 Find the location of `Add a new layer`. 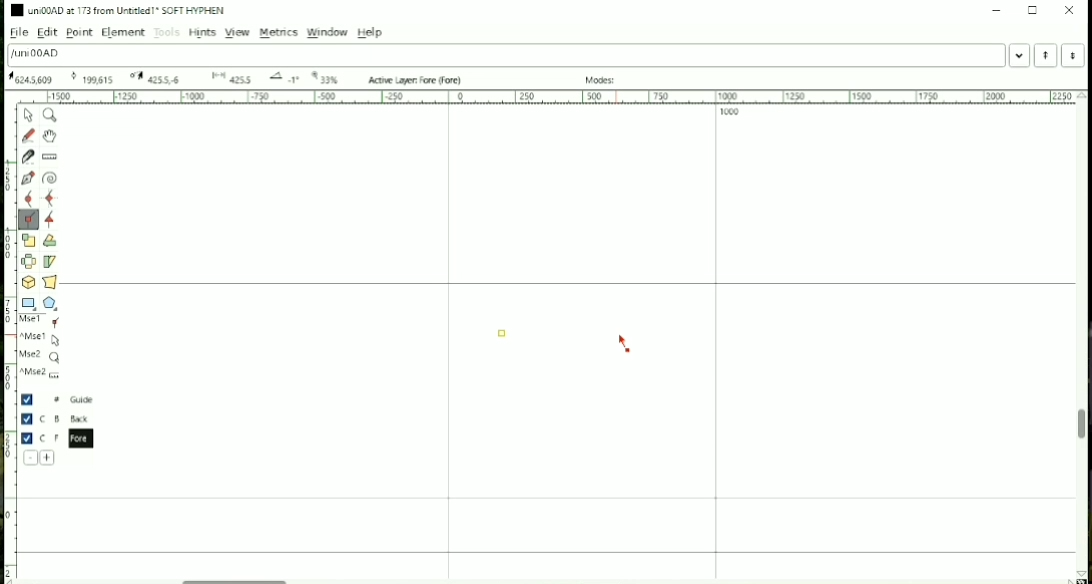

Add a new layer is located at coordinates (48, 458).